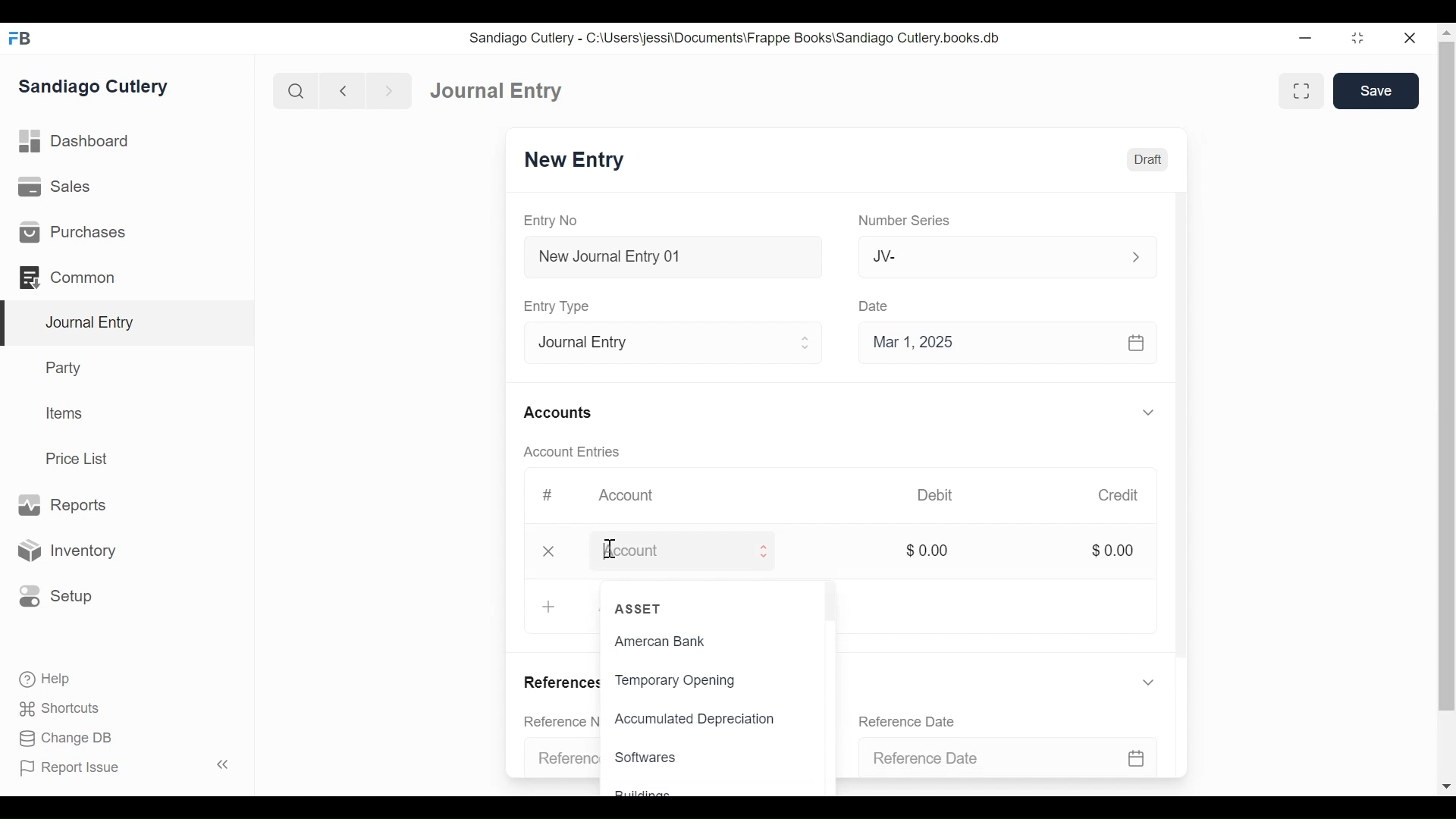 The width and height of the screenshot is (1456, 819). I want to click on Reference Date, so click(1031, 758).